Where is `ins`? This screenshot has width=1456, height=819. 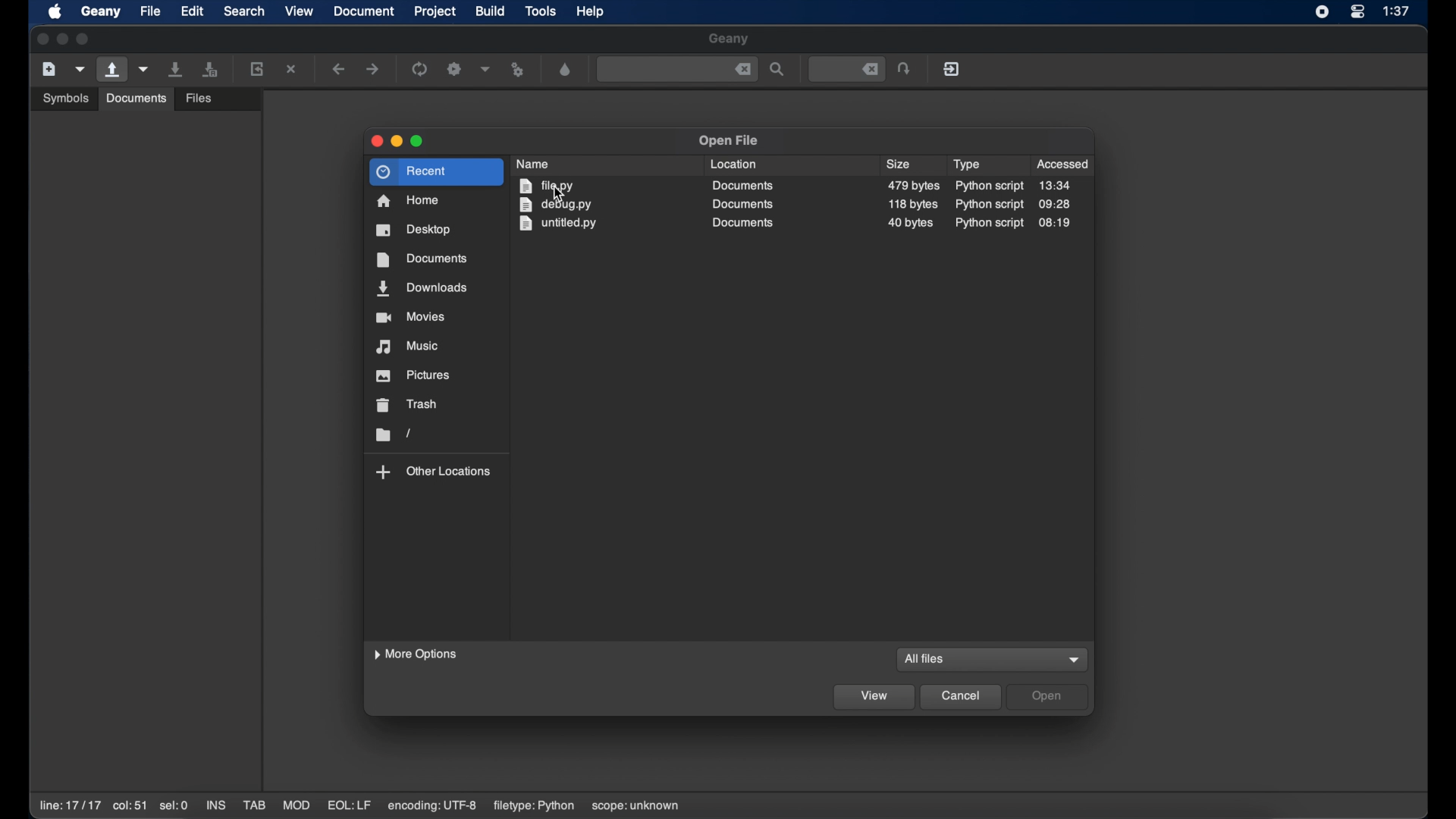 ins is located at coordinates (215, 805).